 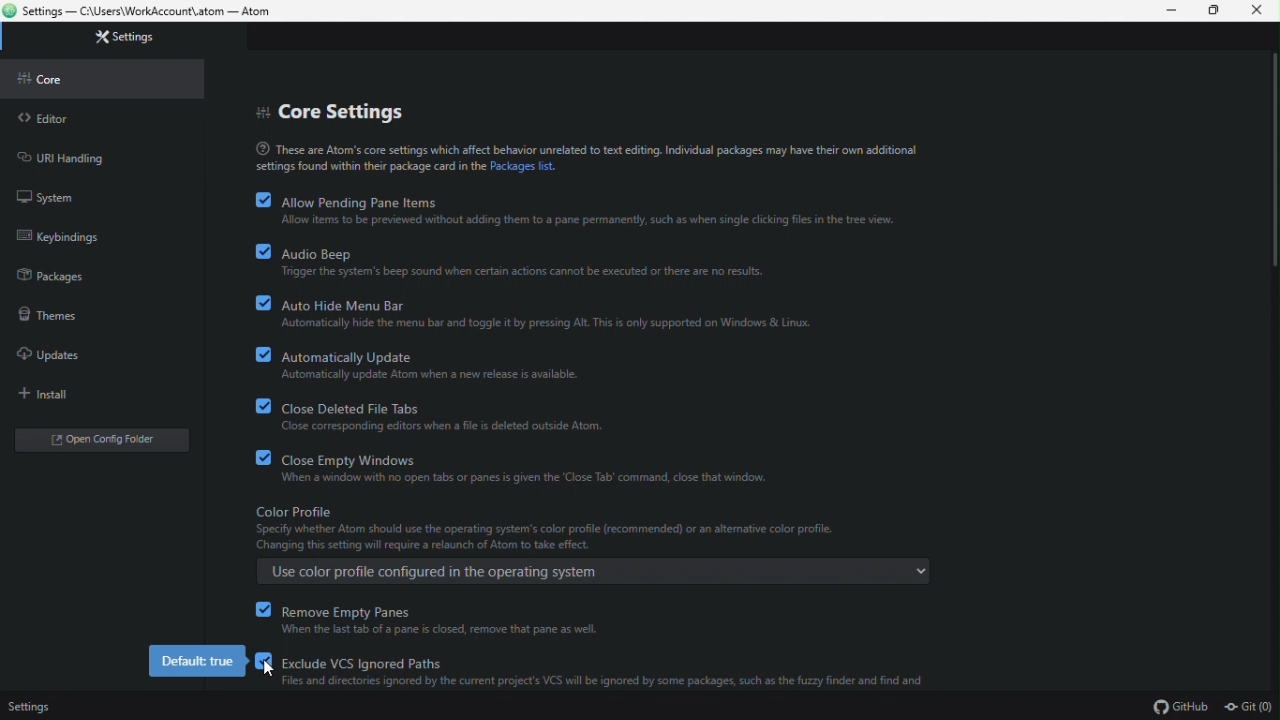 What do you see at coordinates (603, 208) in the screenshot?
I see `Allow pending pane items` at bounding box center [603, 208].